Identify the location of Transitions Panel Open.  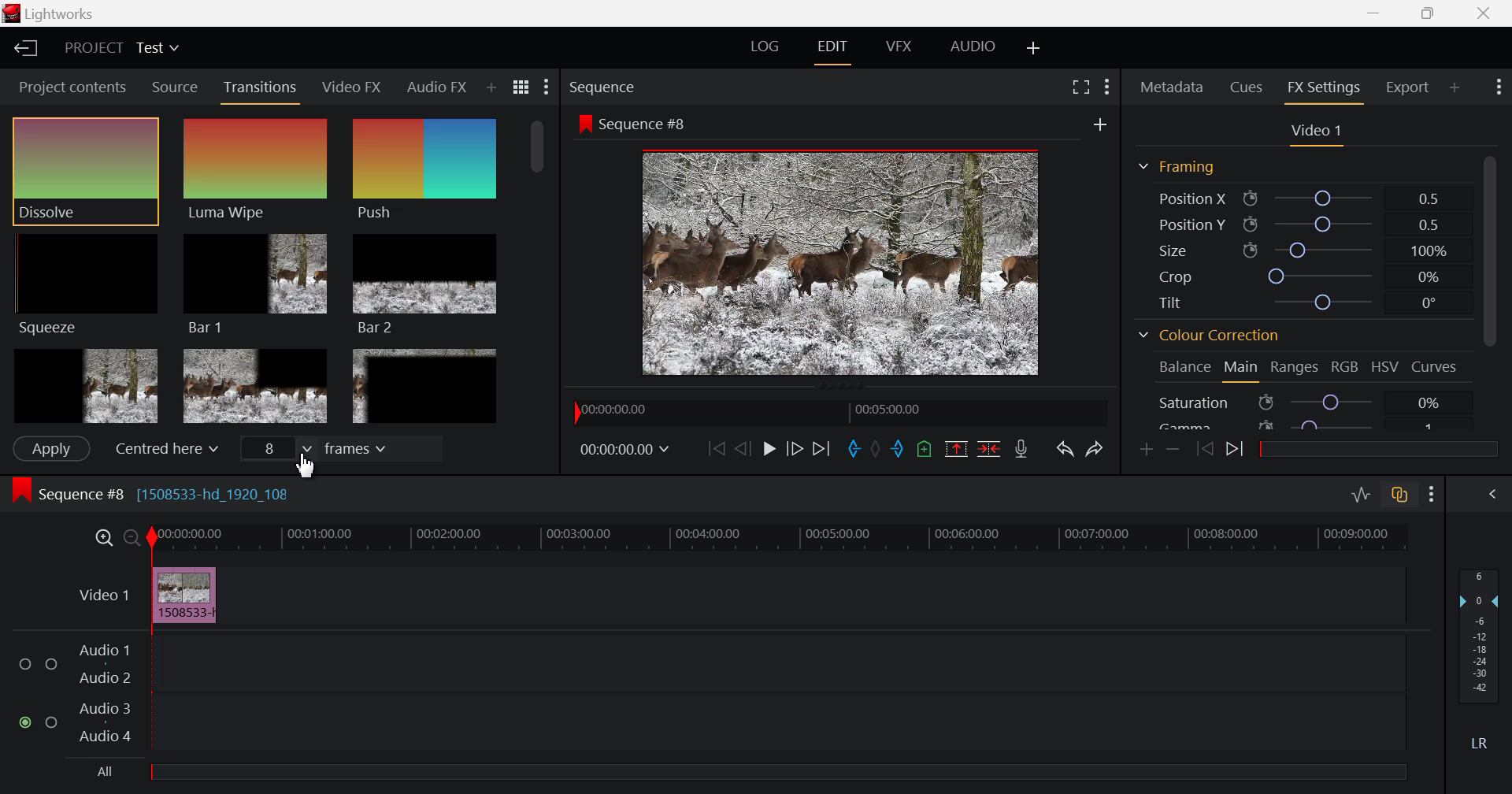
(261, 90).